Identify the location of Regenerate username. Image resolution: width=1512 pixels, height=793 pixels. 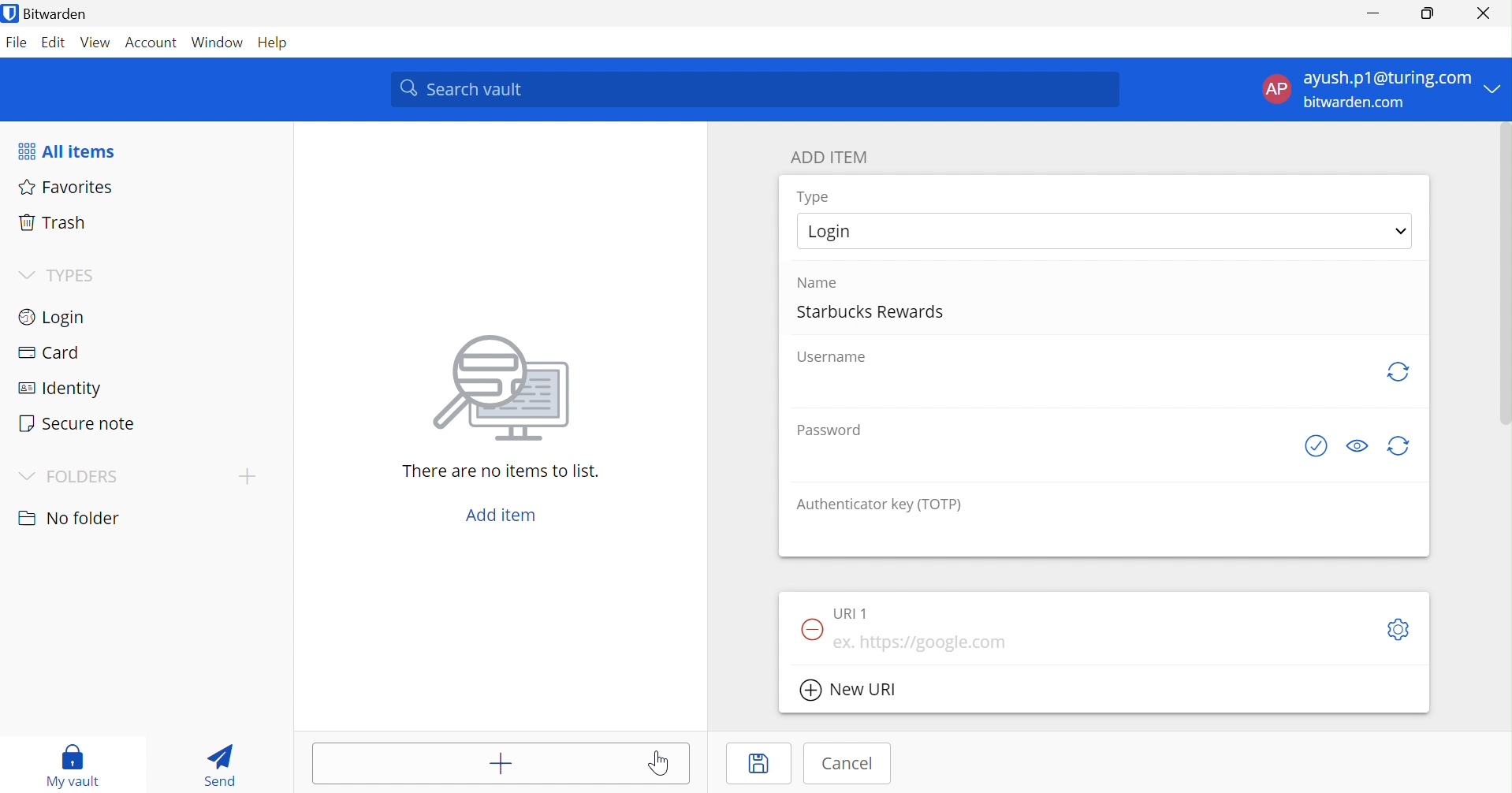
(1397, 372).